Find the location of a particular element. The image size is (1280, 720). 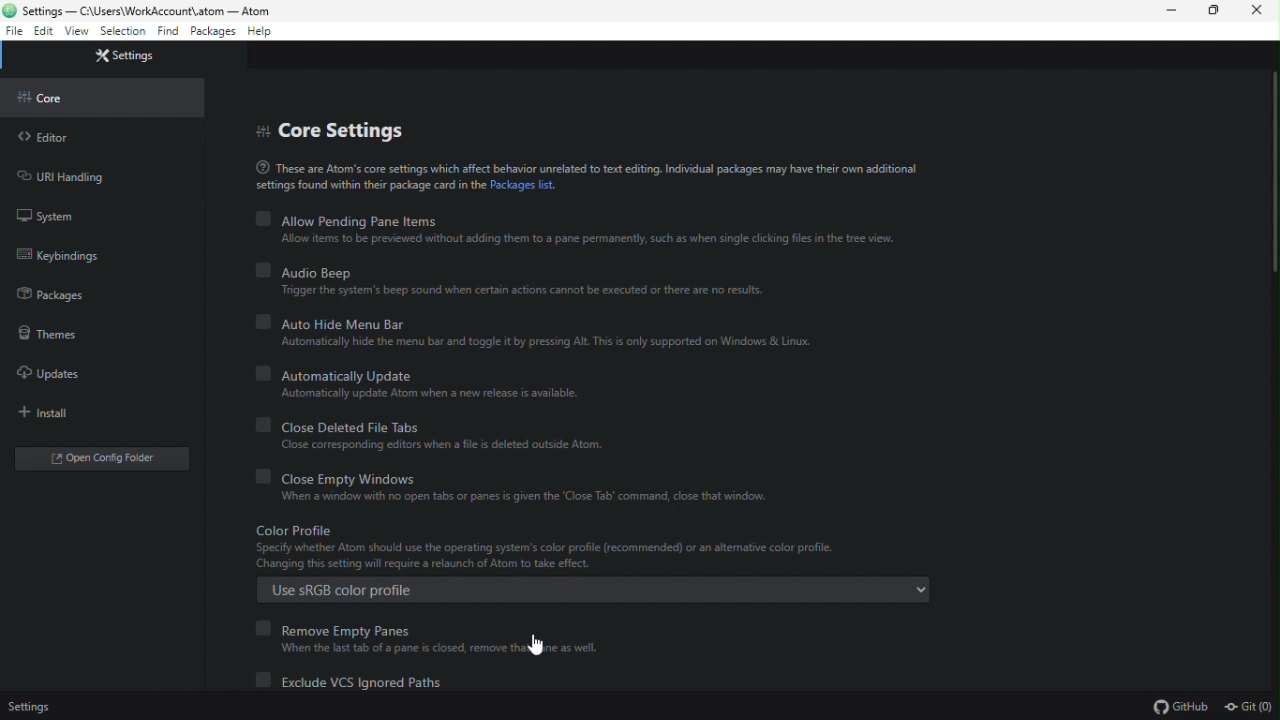

view  is located at coordinates (78, 32).